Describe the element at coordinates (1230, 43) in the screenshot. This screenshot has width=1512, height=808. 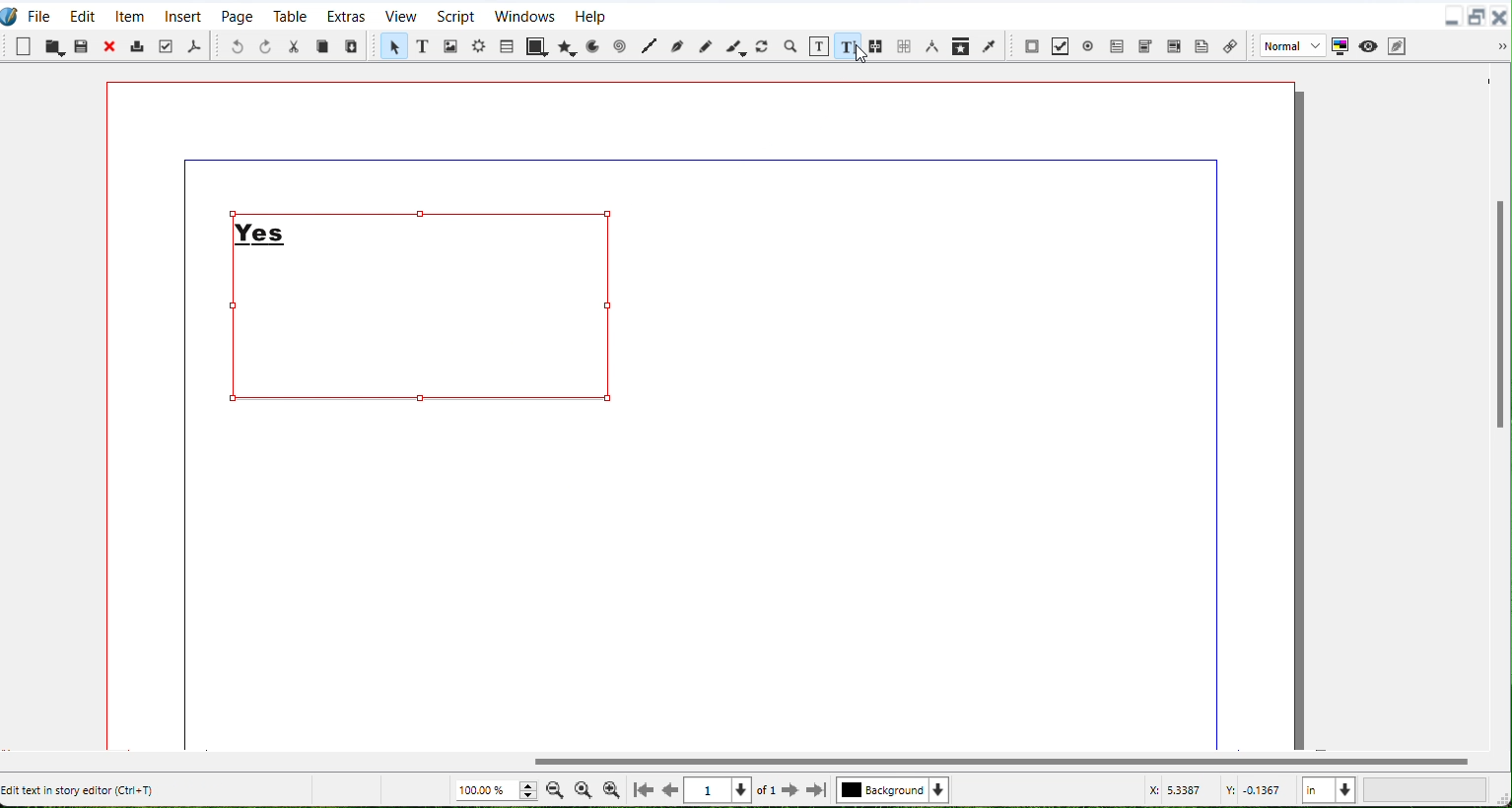
I see `Link Annotation` at that location.